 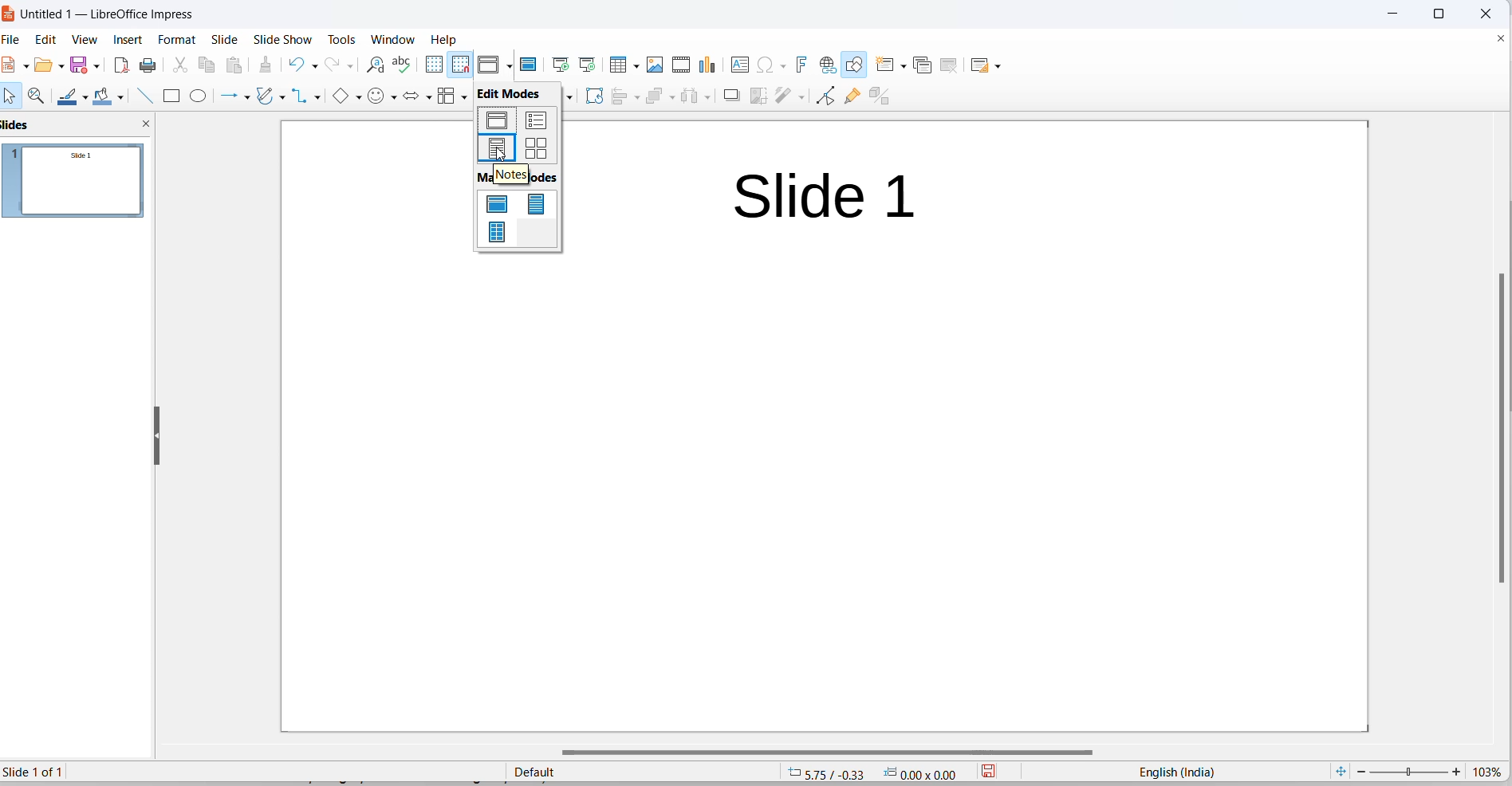 I want to click on new slide options, so click(x=902, y=65).